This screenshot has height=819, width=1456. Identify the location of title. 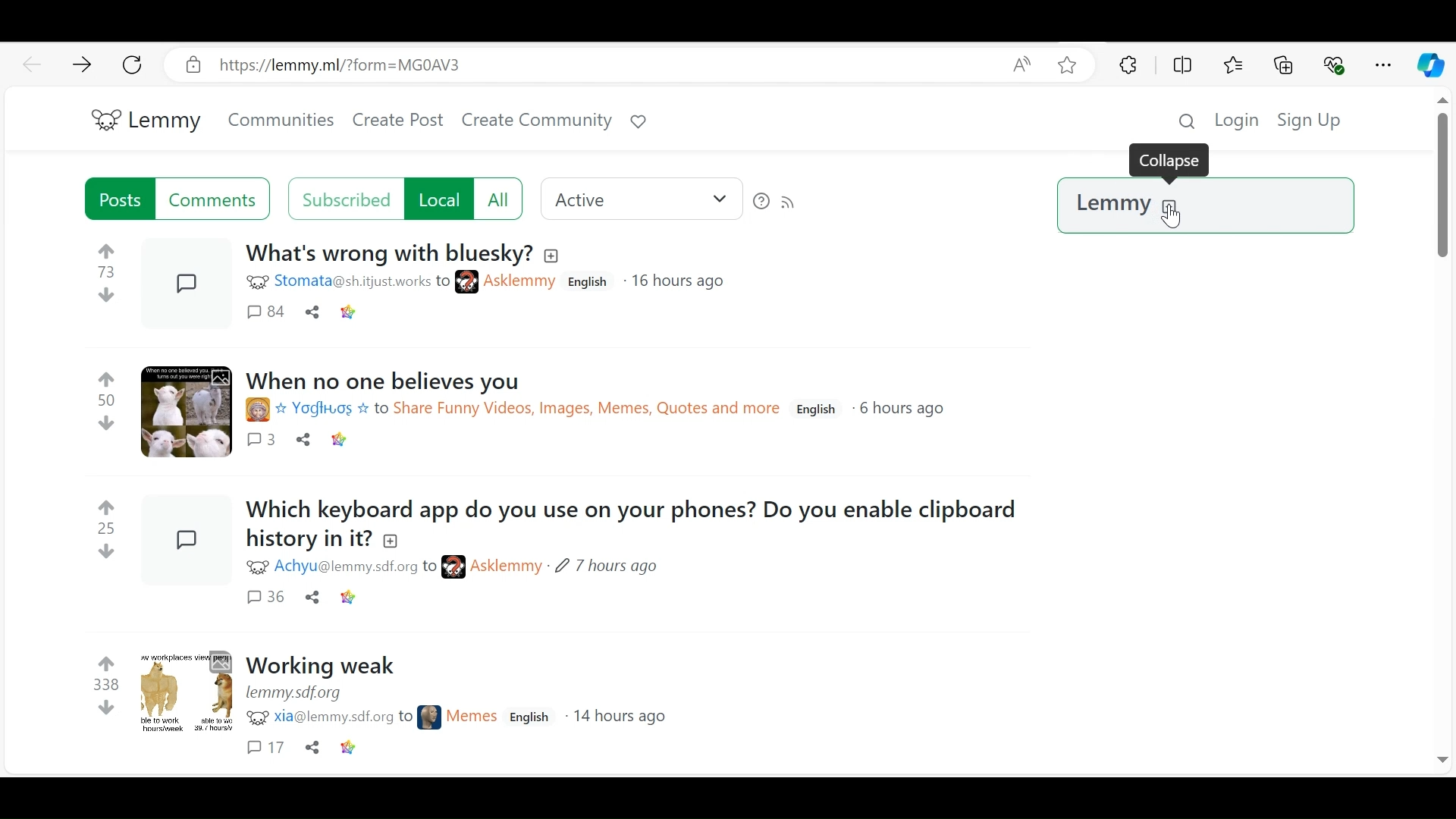
(308, 538).